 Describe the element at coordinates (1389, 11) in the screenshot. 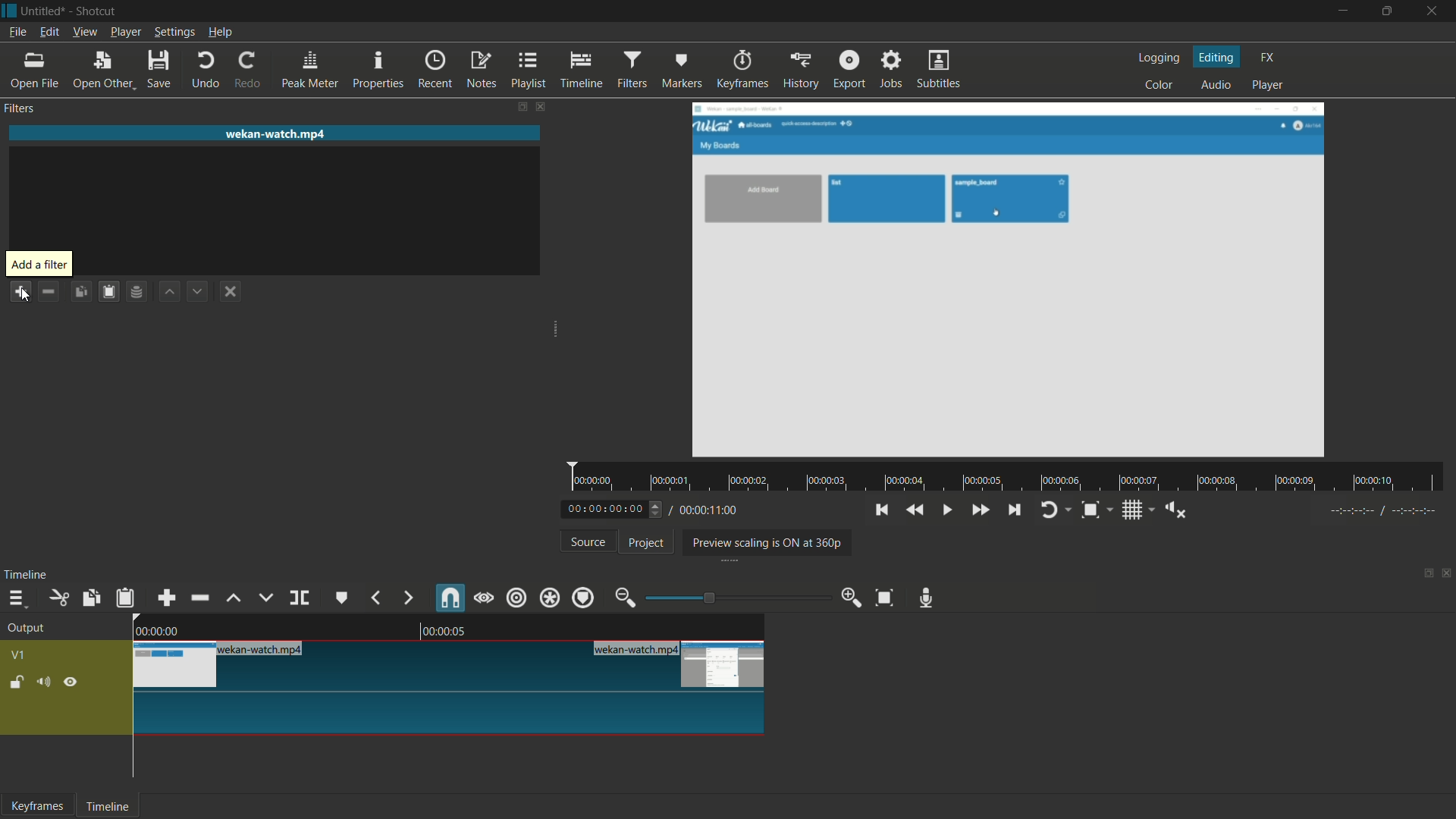

I see `maximize` at that location.